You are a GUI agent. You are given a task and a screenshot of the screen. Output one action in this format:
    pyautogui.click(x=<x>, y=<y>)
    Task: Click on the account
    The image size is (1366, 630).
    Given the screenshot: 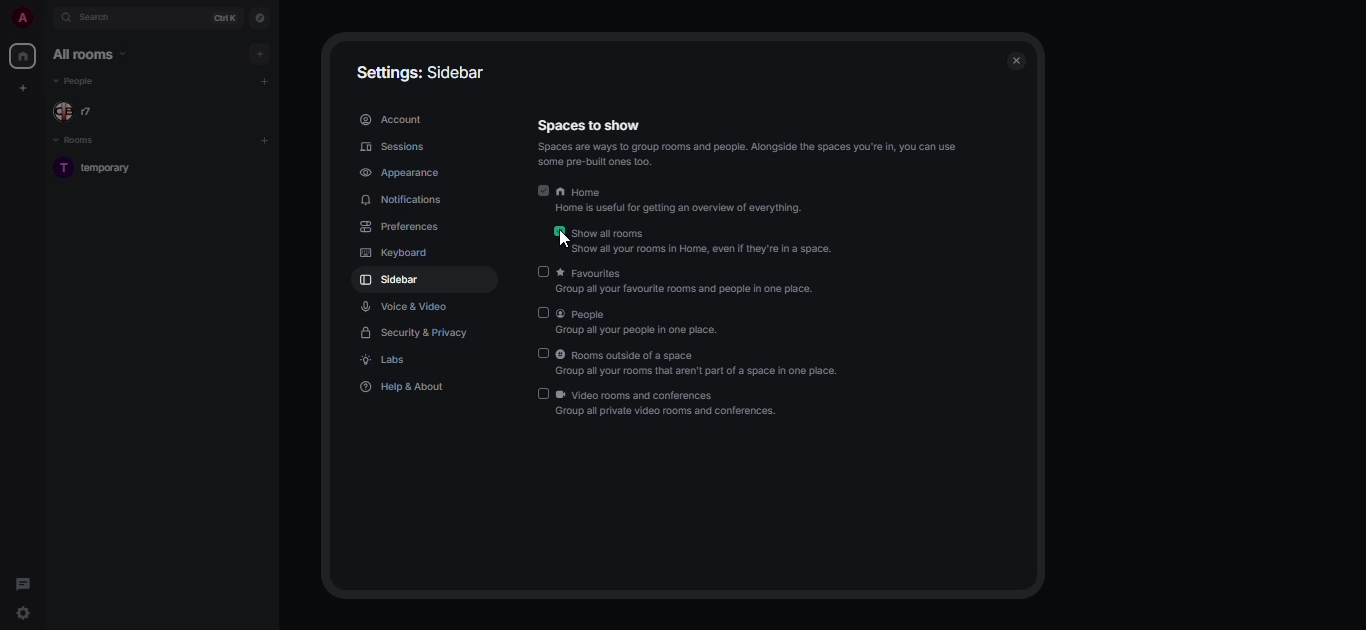 What is the action you would take?
    pyautogui.click(x=390, y=120)
    